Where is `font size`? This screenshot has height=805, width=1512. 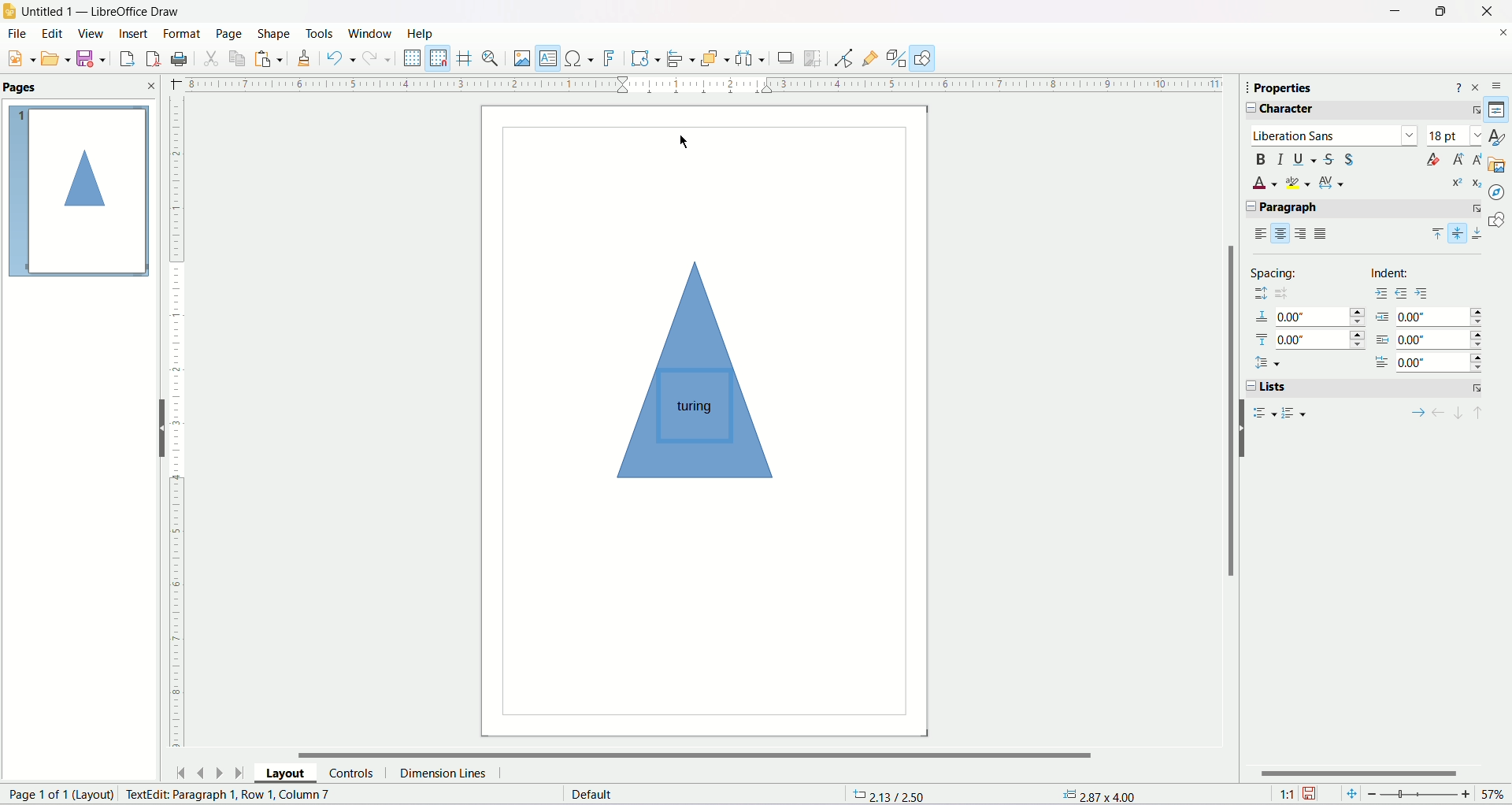
font size is located at coordinates (1457, 137).